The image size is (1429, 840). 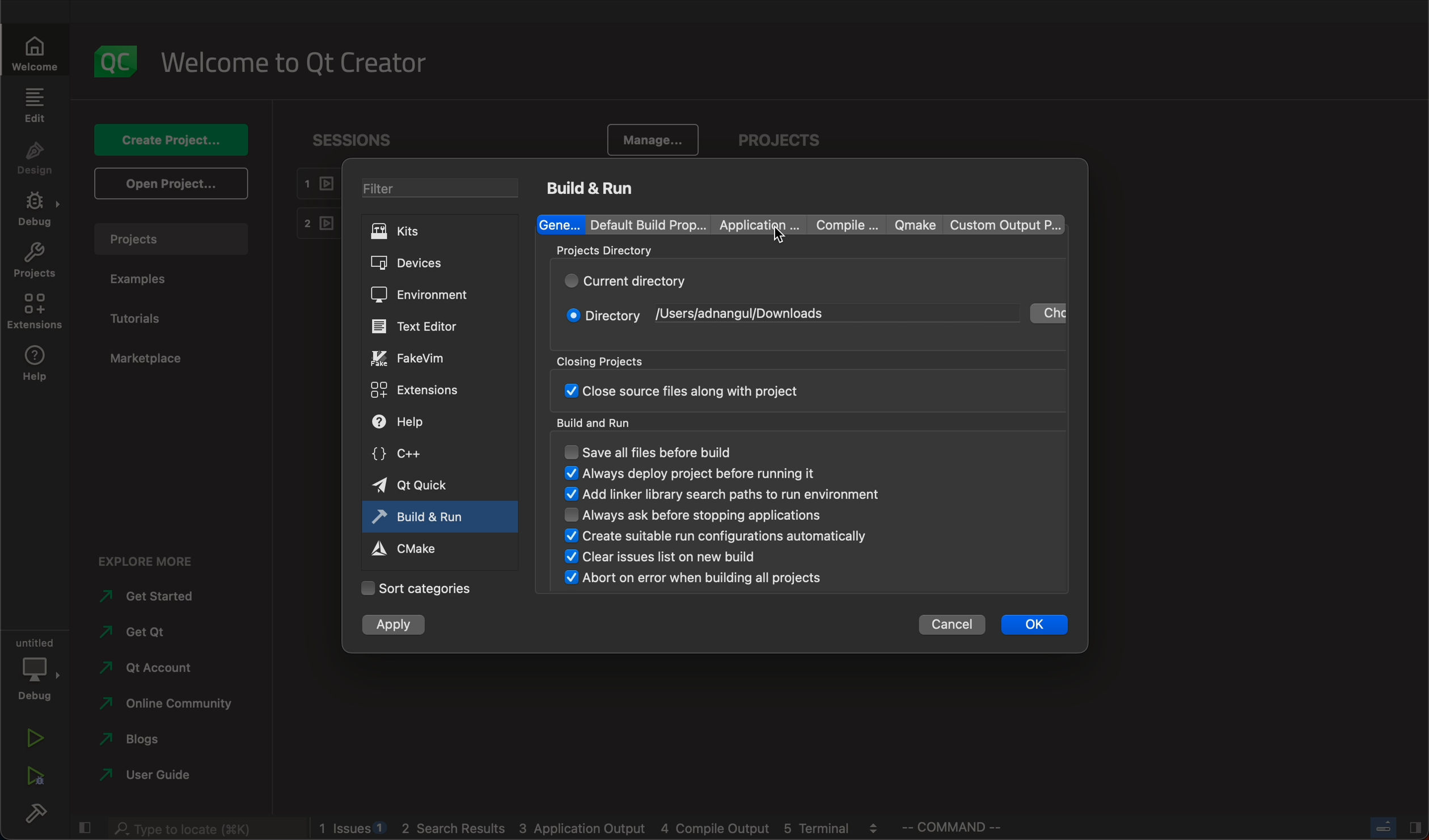 What do you see at coordinates (561, 224) in the screenshot?
I see `gene` at bounding box center [561, 224].